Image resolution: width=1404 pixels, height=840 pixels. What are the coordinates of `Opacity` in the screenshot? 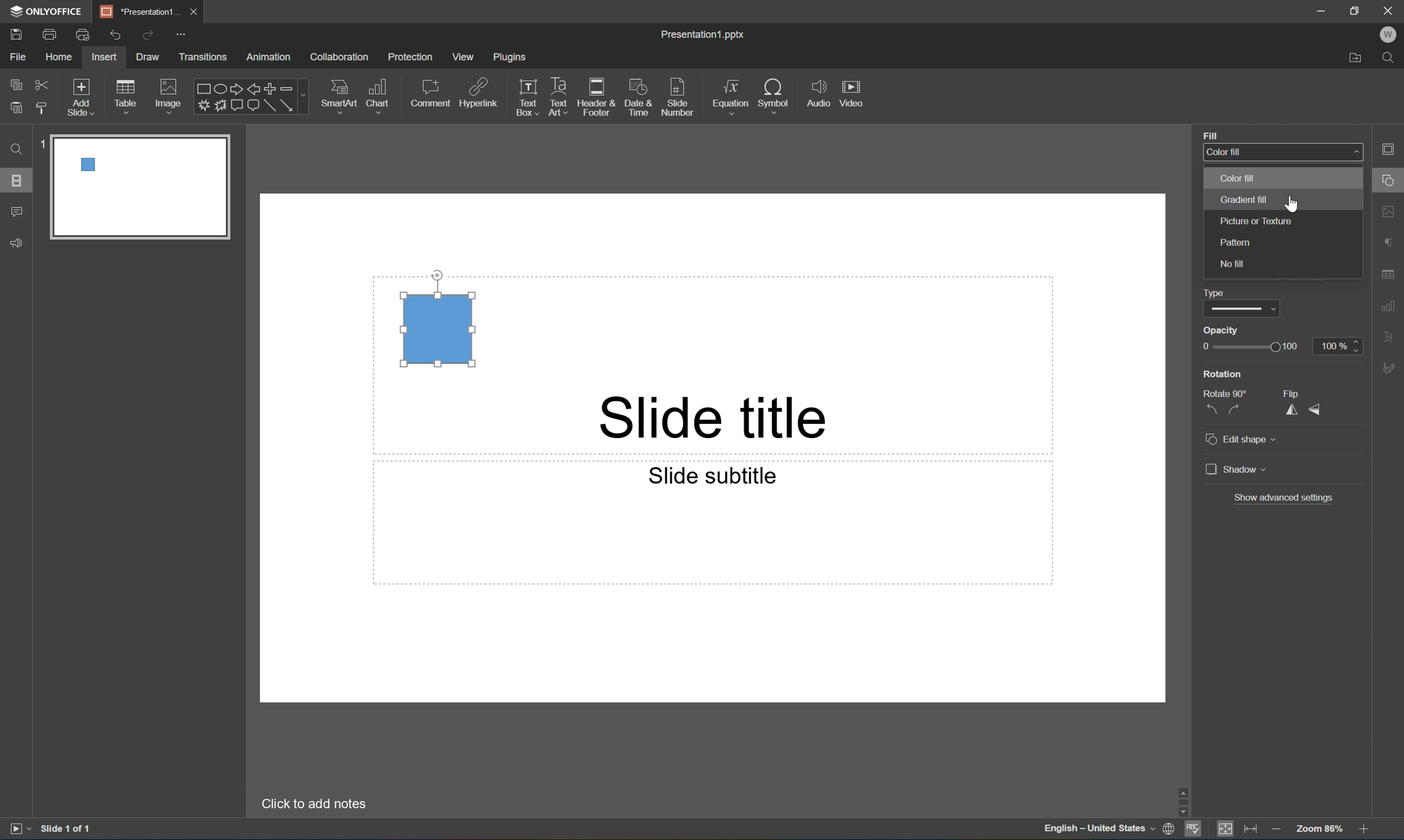 It's located at (1220, 330).